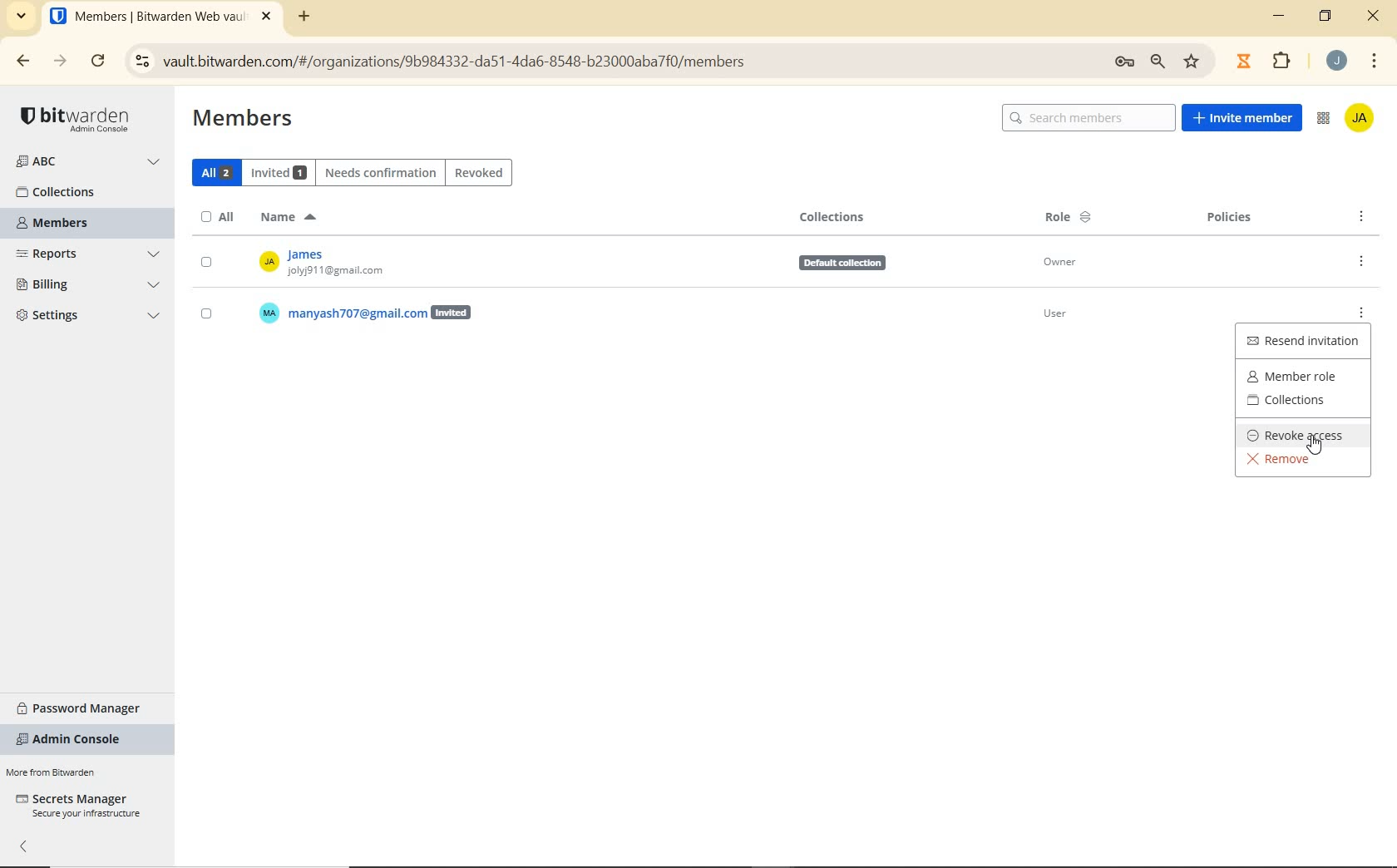 This screenshot has height=868, width=1397. What do you see at coordinates (1281, 19) in the screenshot?
I see `MINIMIZE` at bounding box center [1281, 19].